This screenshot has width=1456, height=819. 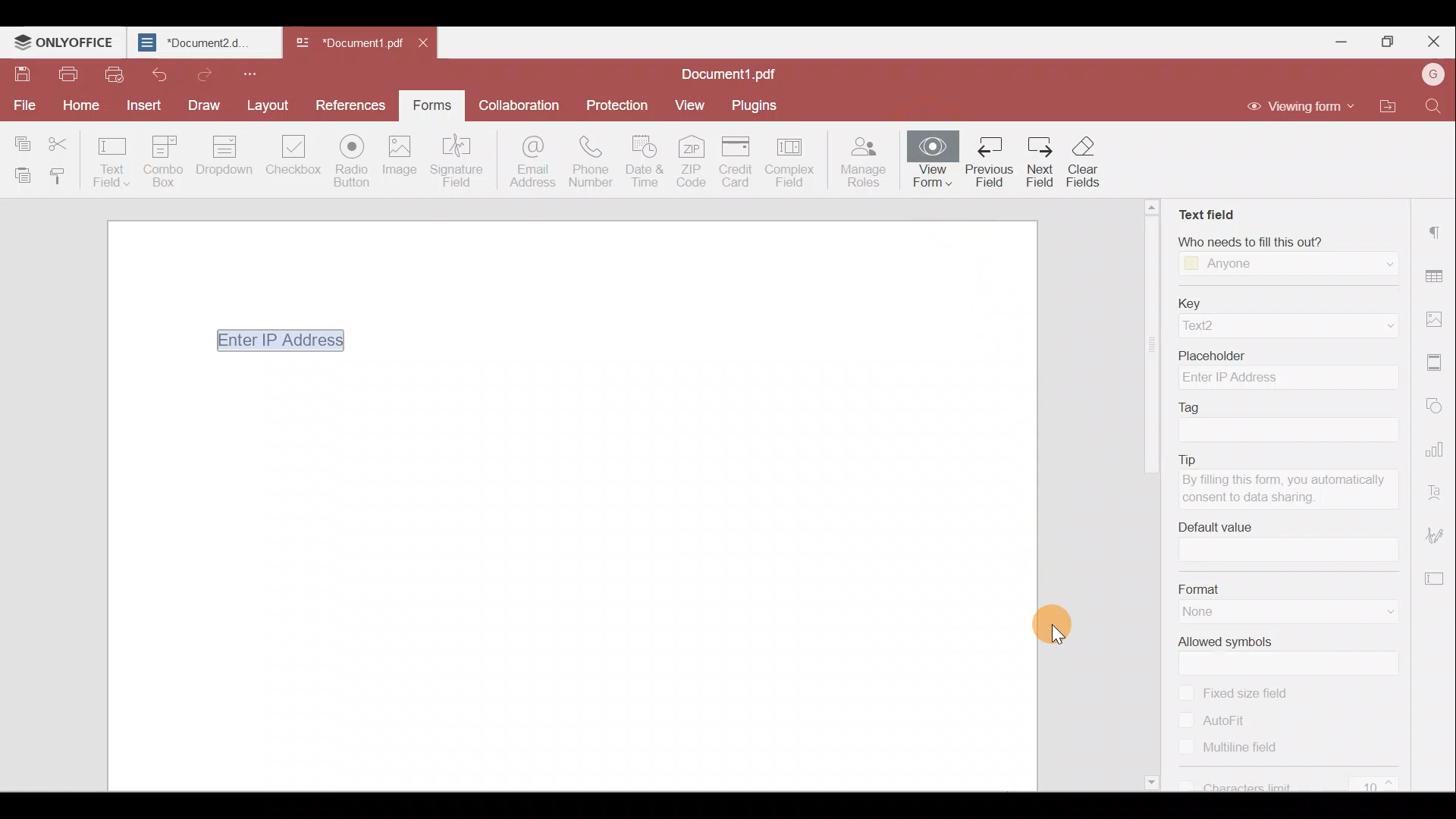 I want to click on Combo box, so click(x=168, y=158).